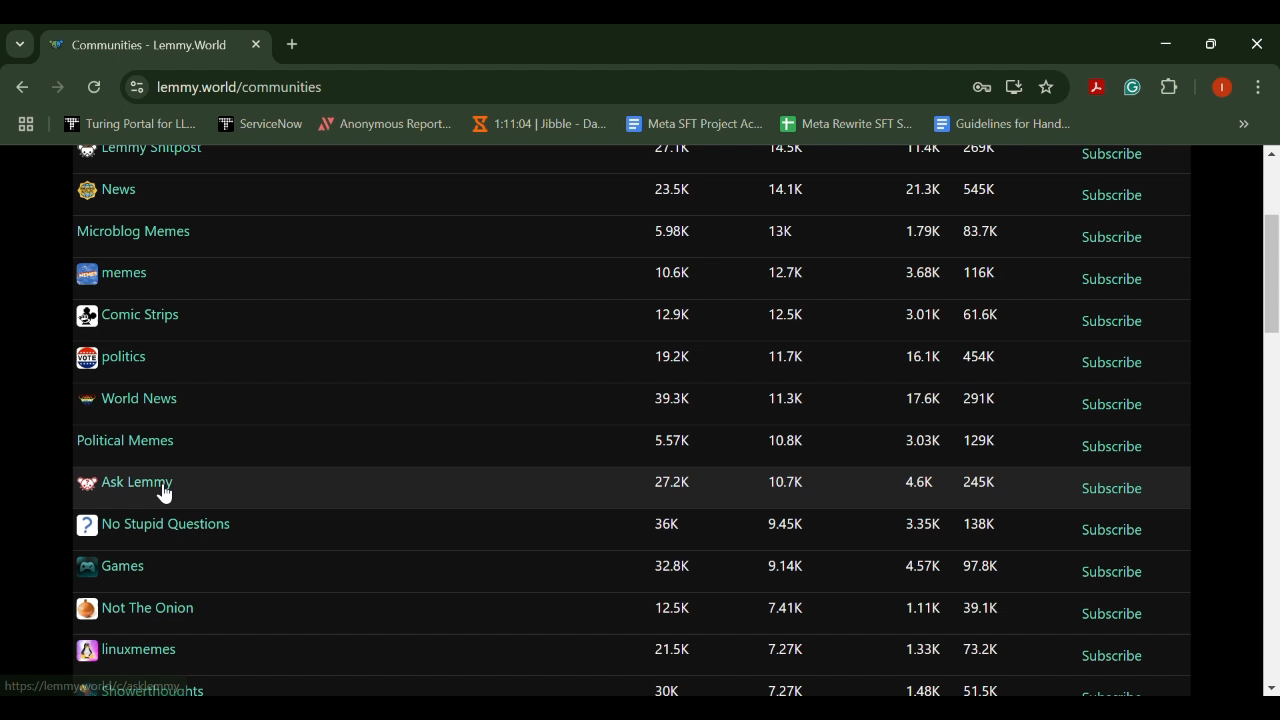  Describe the element at coordinates (157, 526) in the screenshot. I see `No Stupid Questions` at that location.